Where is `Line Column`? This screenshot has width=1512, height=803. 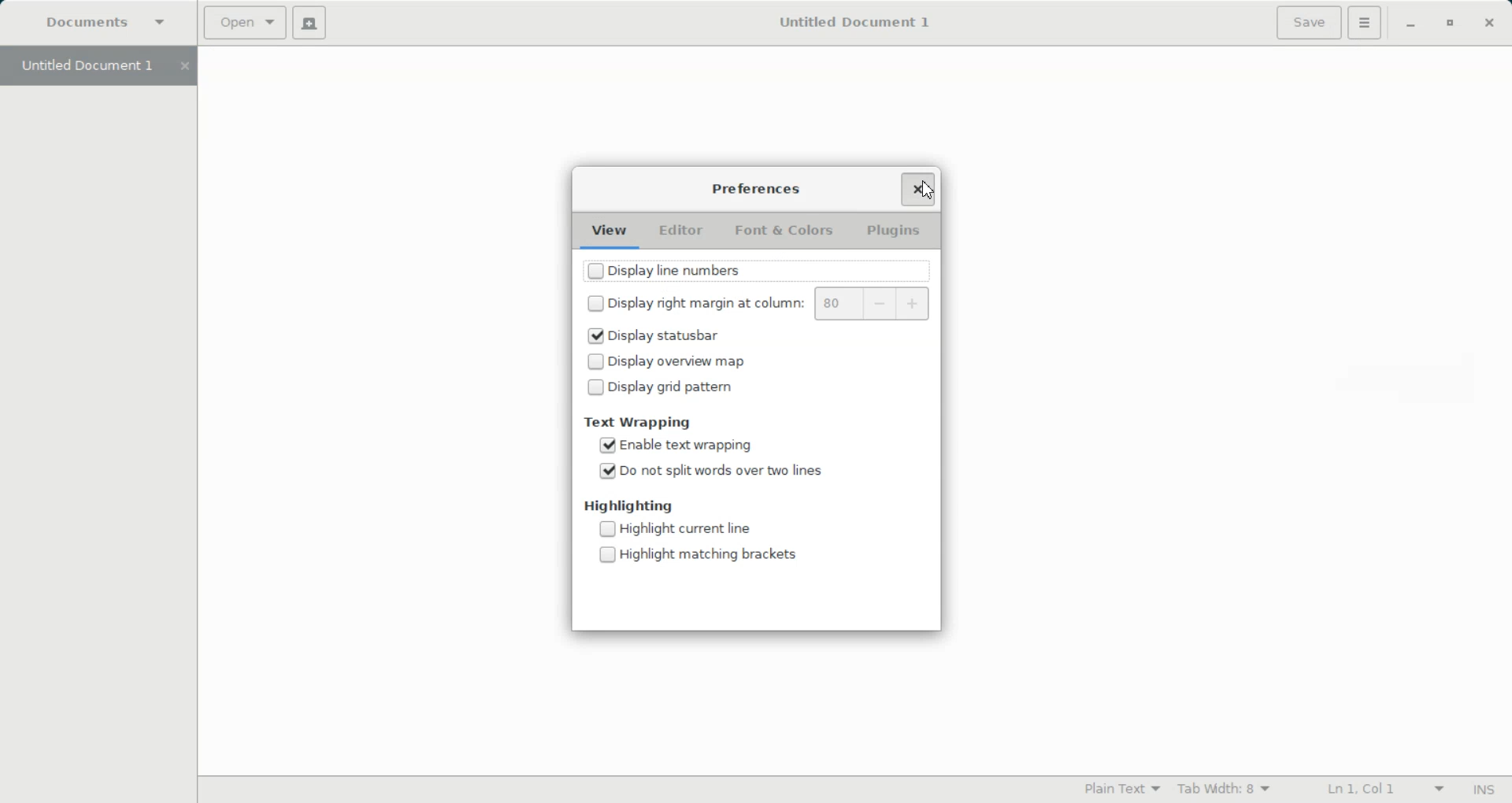 Line Column is located at coordinates (1376, 790).